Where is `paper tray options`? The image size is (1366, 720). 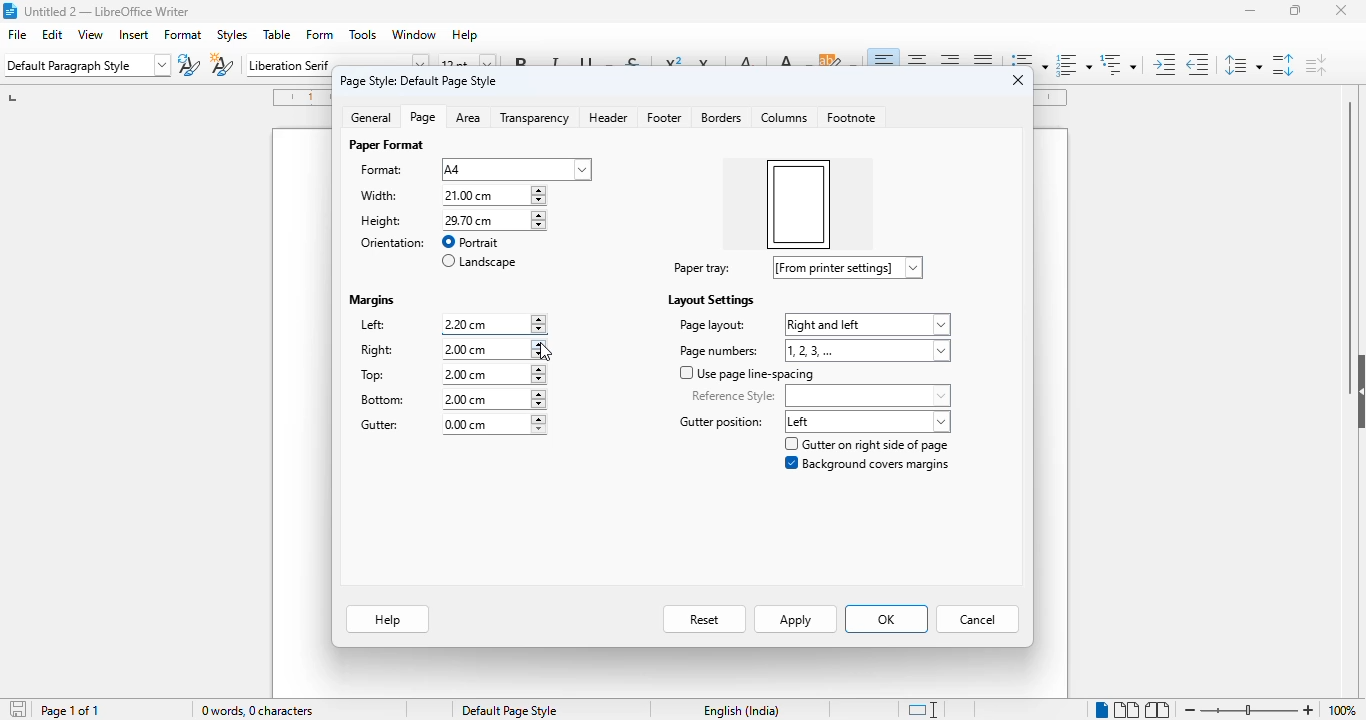
paper tray options is located at coordinates (840, 268).